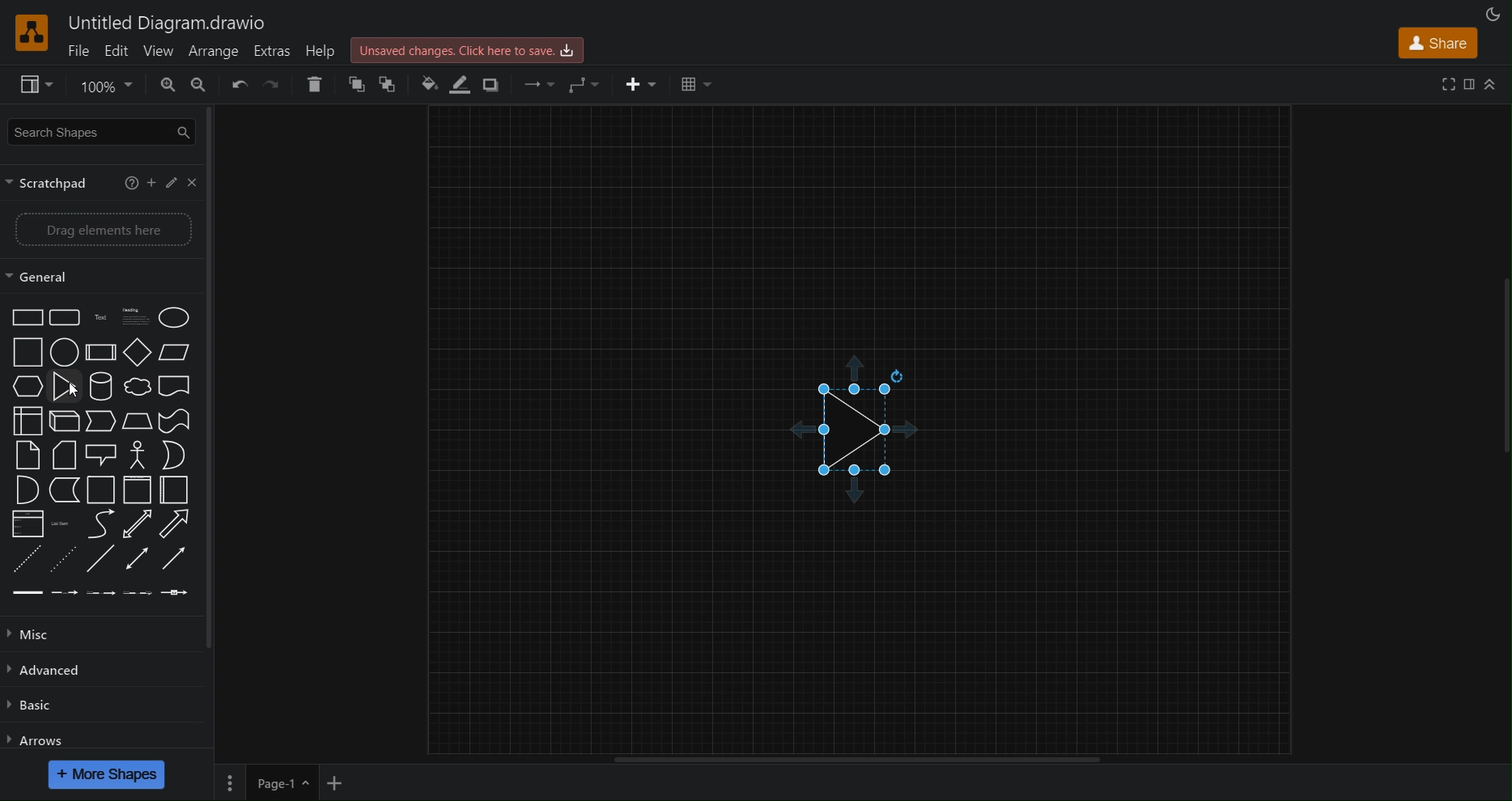 This screenshot has height=801, width=1512. What do you see at coordinates (355, 85) in the screenshot?
I see `Send to Front` at bounding box center [355, 85].